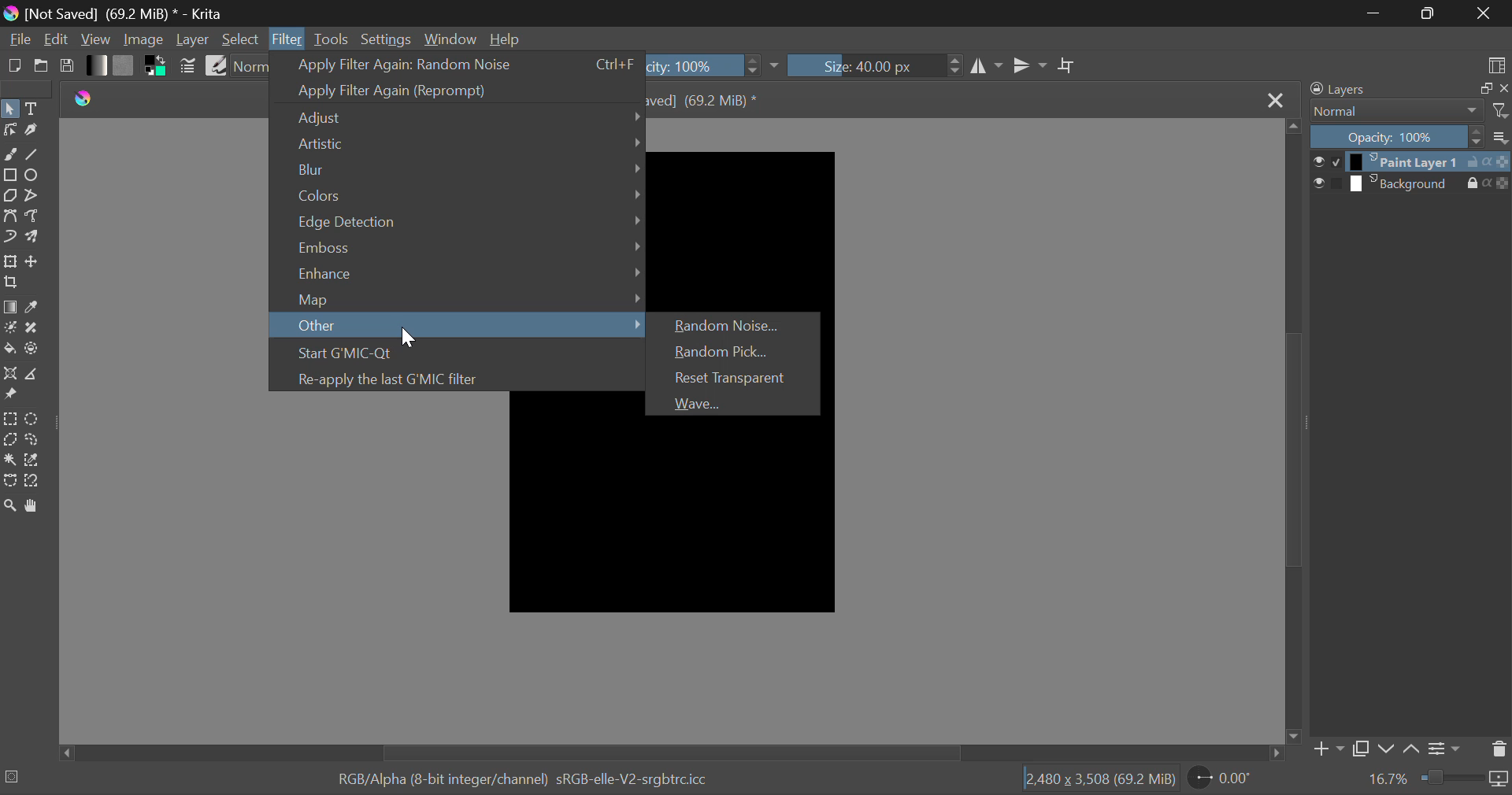 The width and height of the screenshot is (1512, 795). I want to click on Brush Presets, so click(216, 65).